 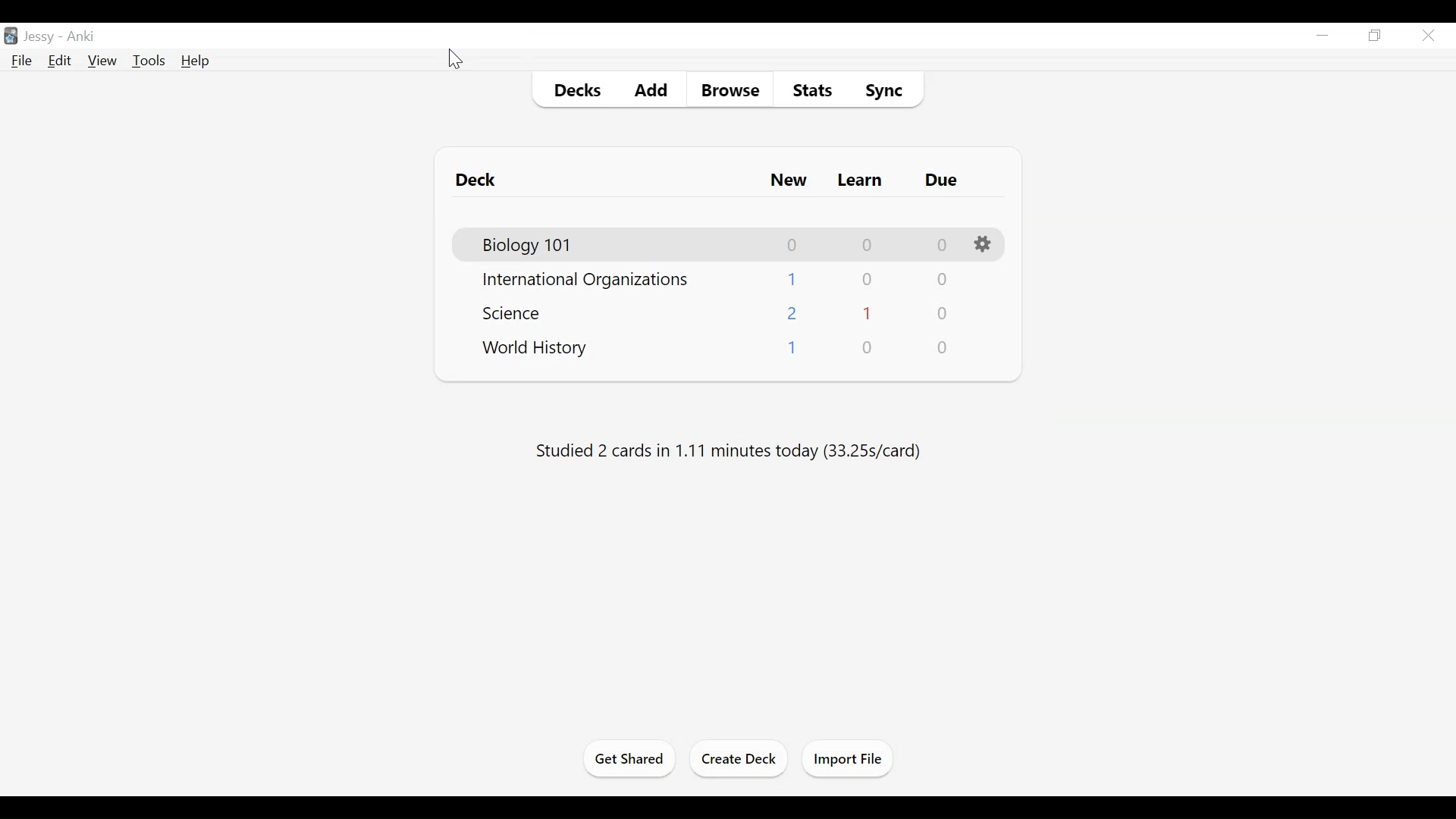 What do you see at coordinates (1323, 35) in the screenshot?
I see `minimize` at bounding box center [1323, 35].